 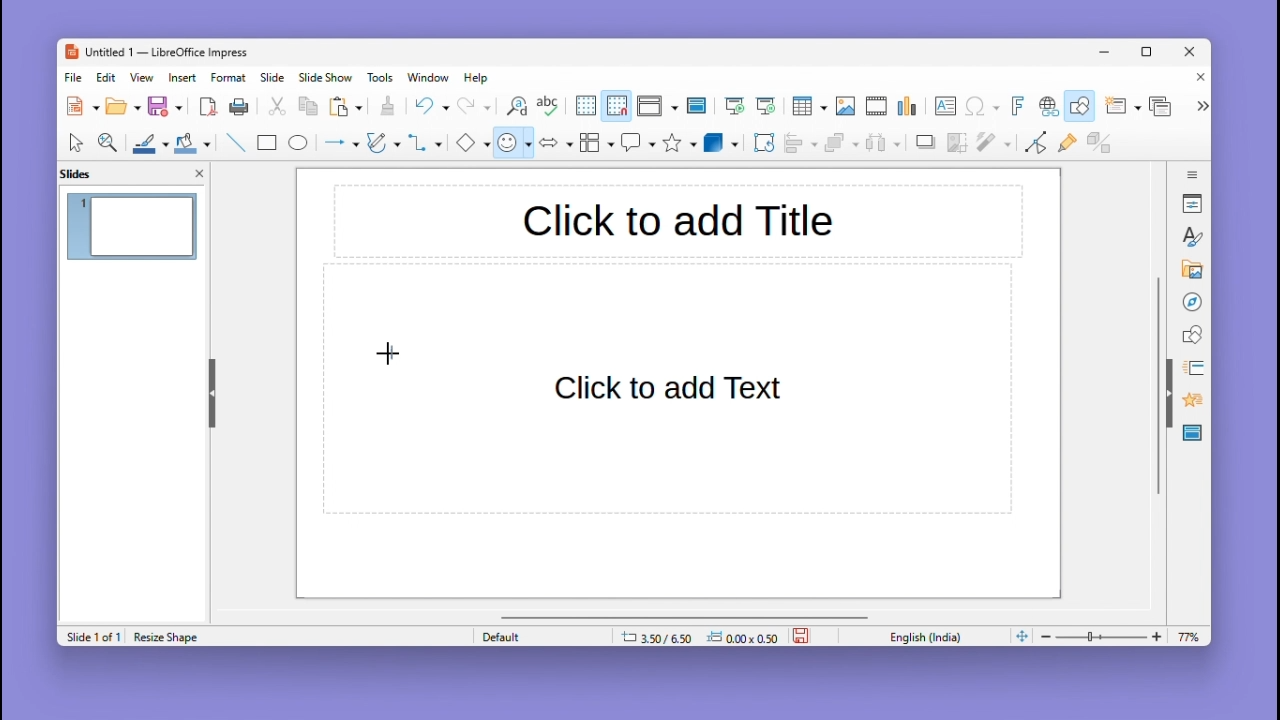 What do you see at coordinates (721, 144) in the screenshot?
I see `Cuboid` at bounding box center [721, 144].